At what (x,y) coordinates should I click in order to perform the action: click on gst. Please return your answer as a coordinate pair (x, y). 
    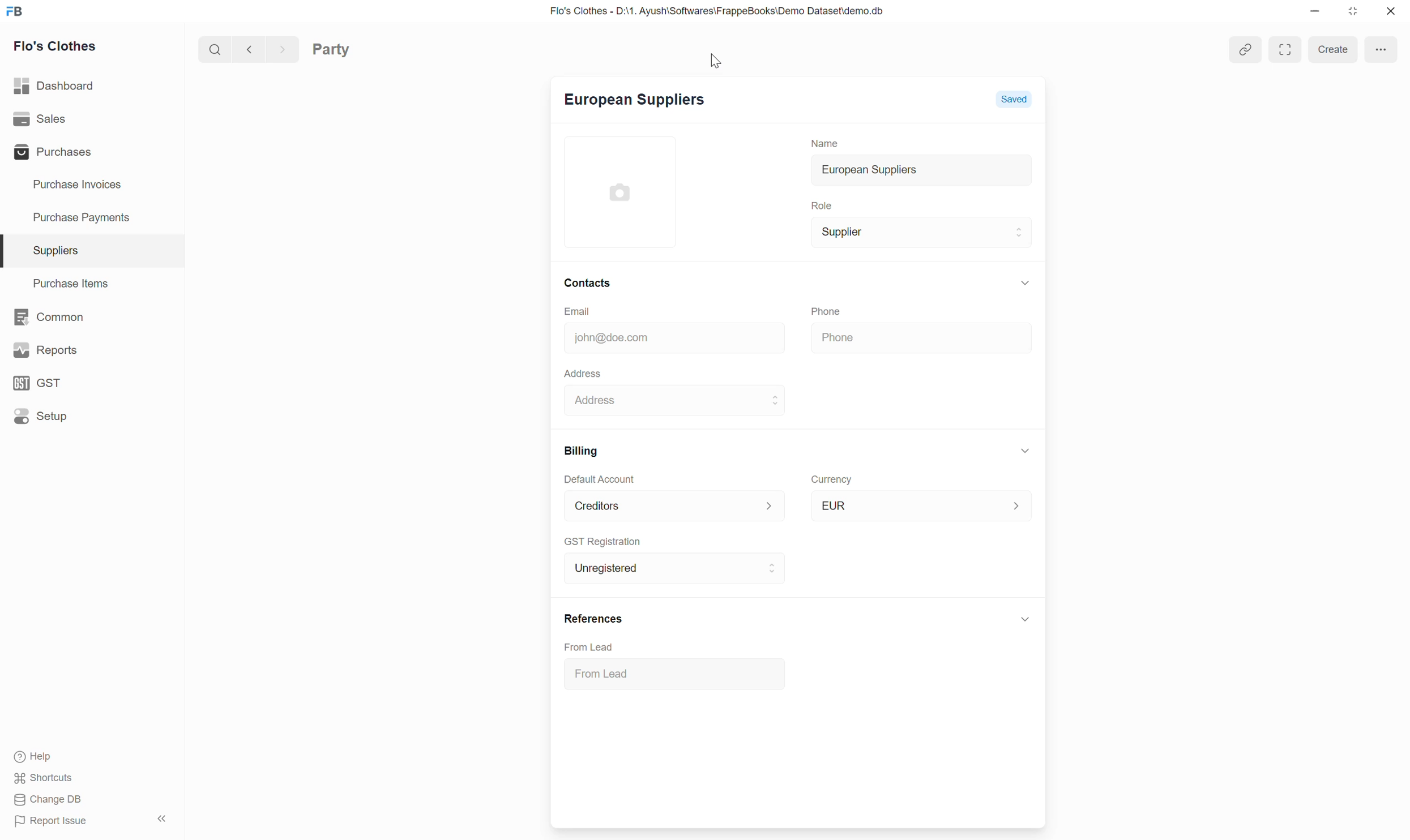
    Looking at the image, I should click on (36, 383).